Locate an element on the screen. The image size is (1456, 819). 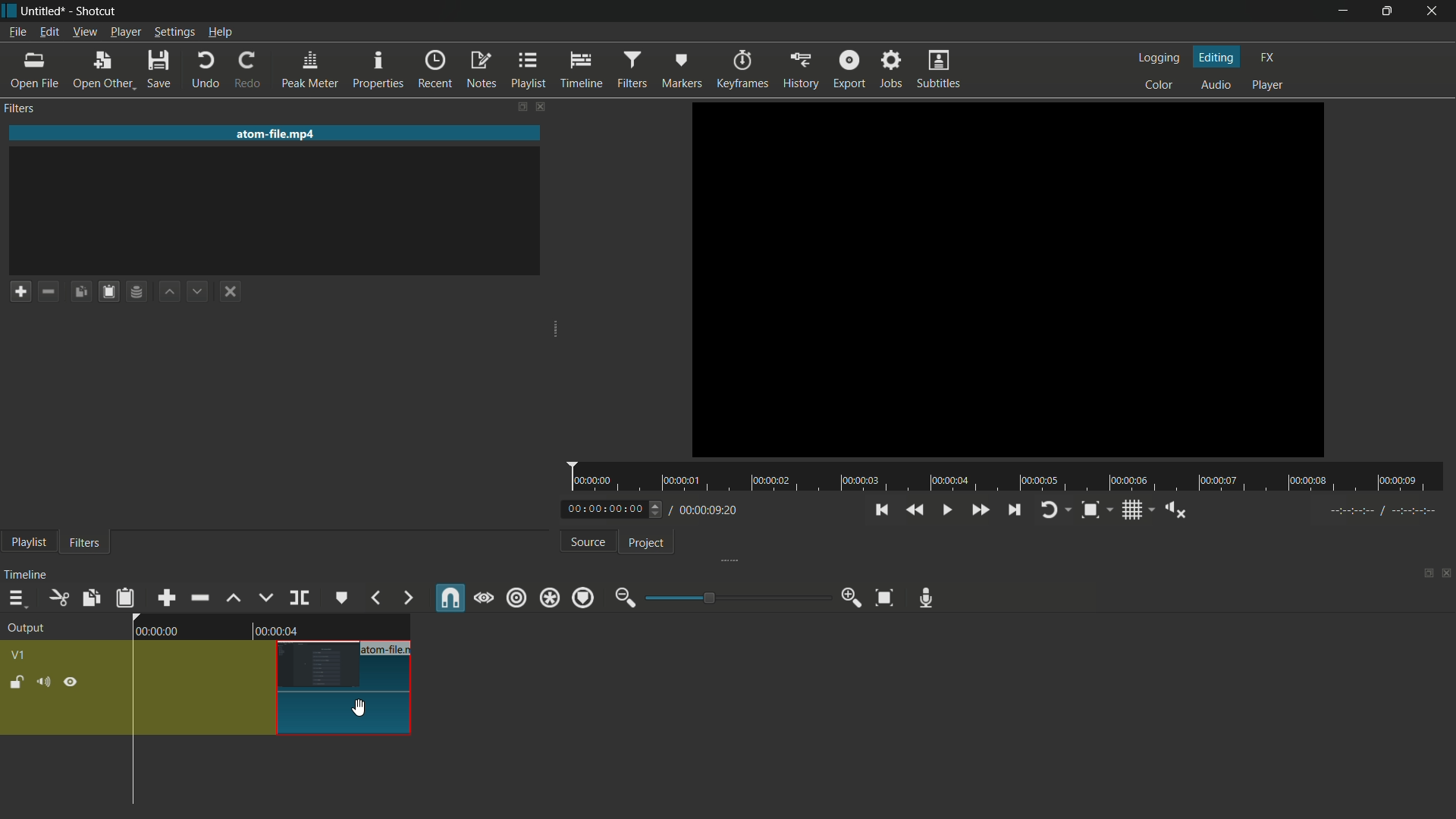
jobs is located at coordinates (891, 71).